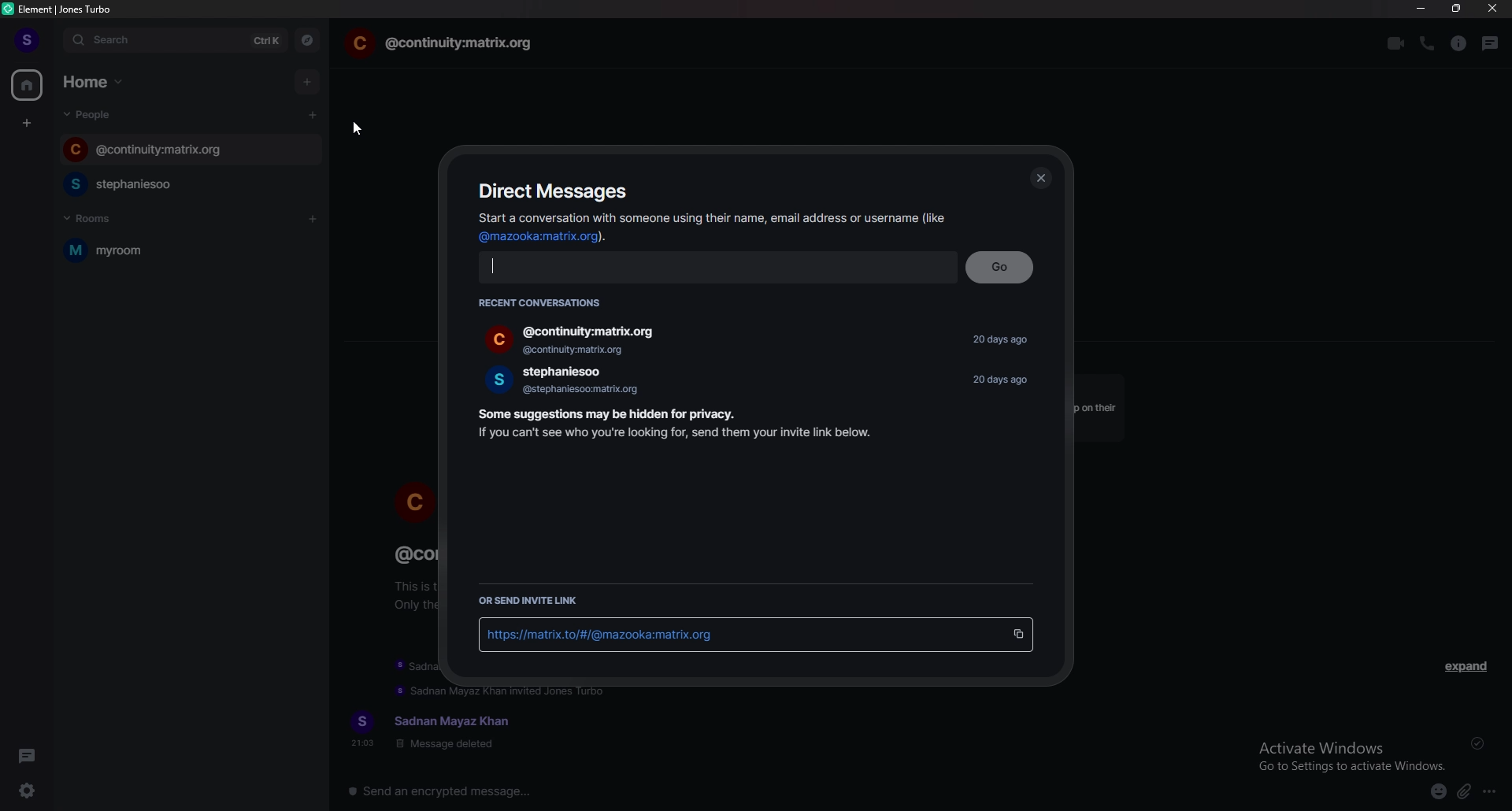 The height and width of the screenshot is (811, 1512). I want to click on attachment, so click(1464, 792).